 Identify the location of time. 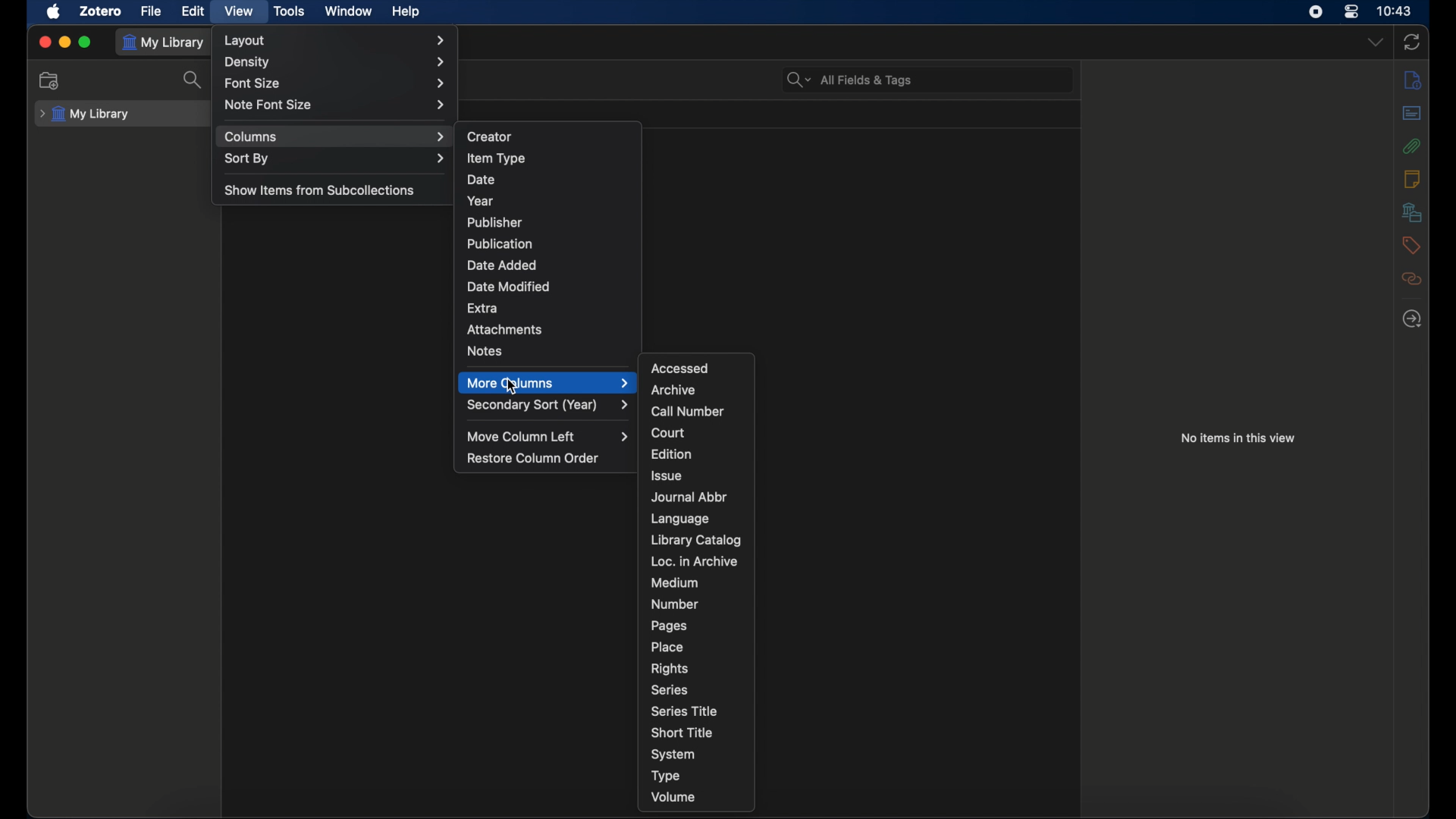
(1396, 10).